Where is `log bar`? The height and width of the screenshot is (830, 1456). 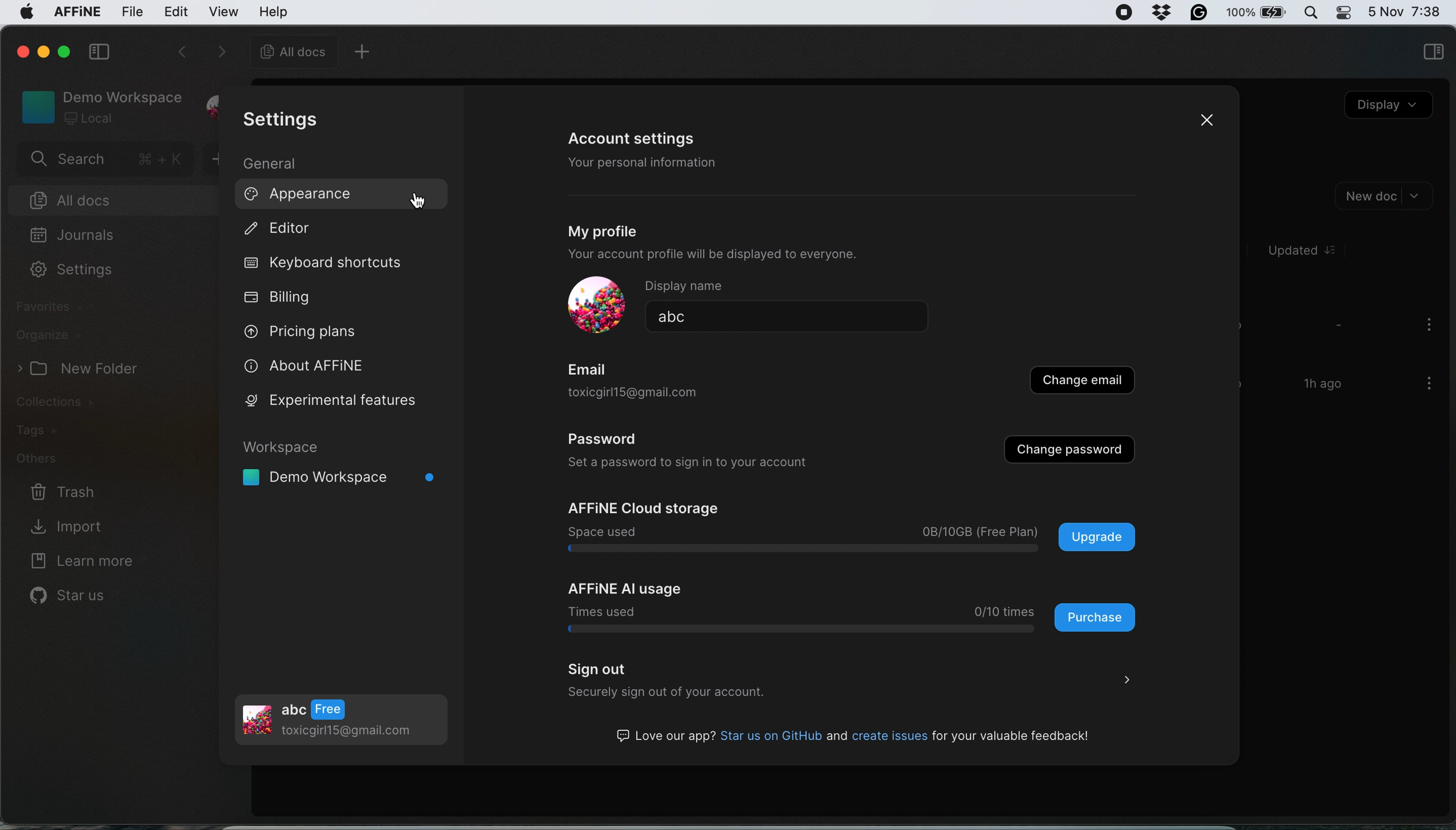 log bar is located at coordinates (803, 548).